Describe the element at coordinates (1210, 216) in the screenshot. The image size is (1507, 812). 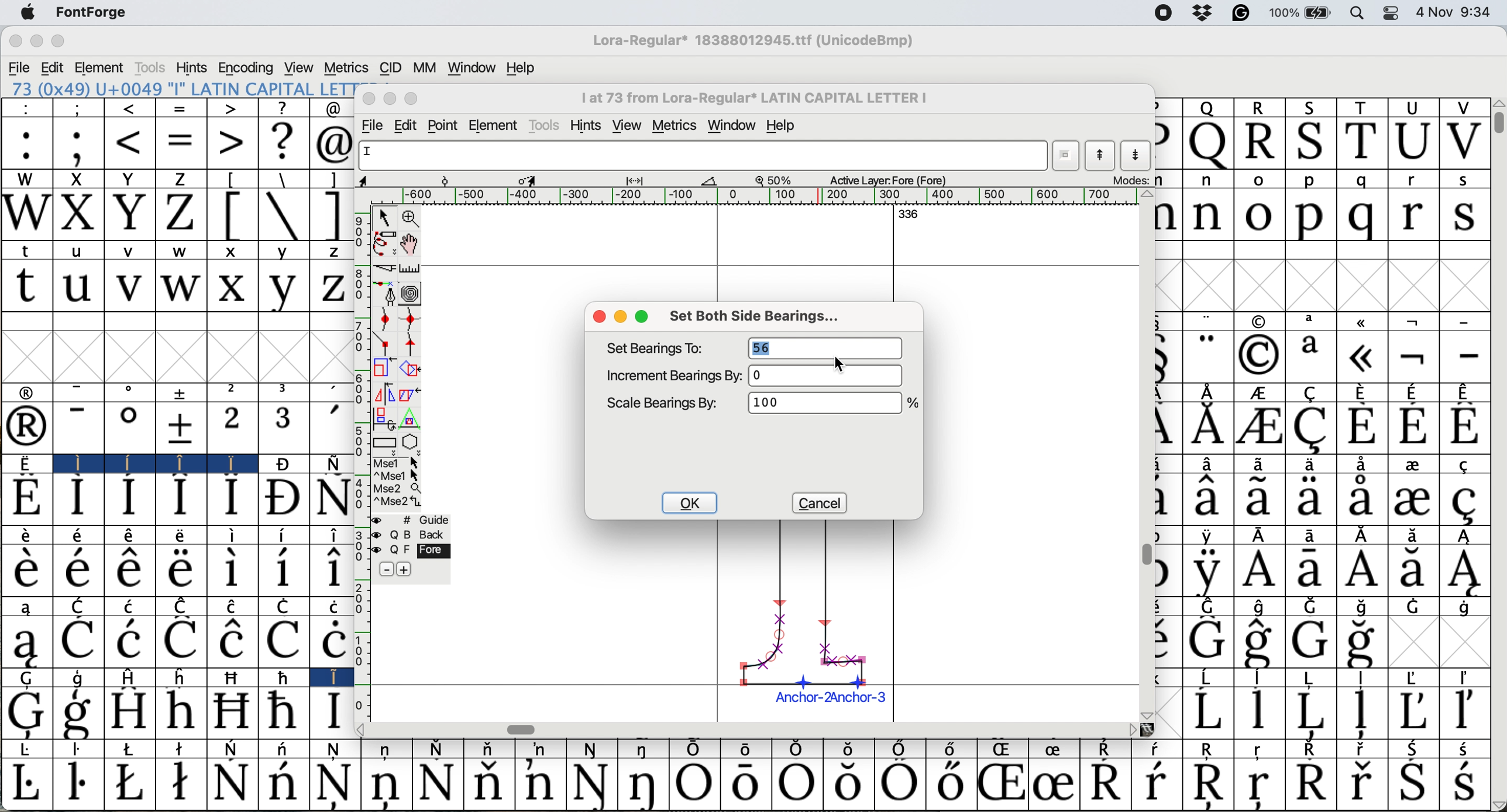
I see `n` at that location.